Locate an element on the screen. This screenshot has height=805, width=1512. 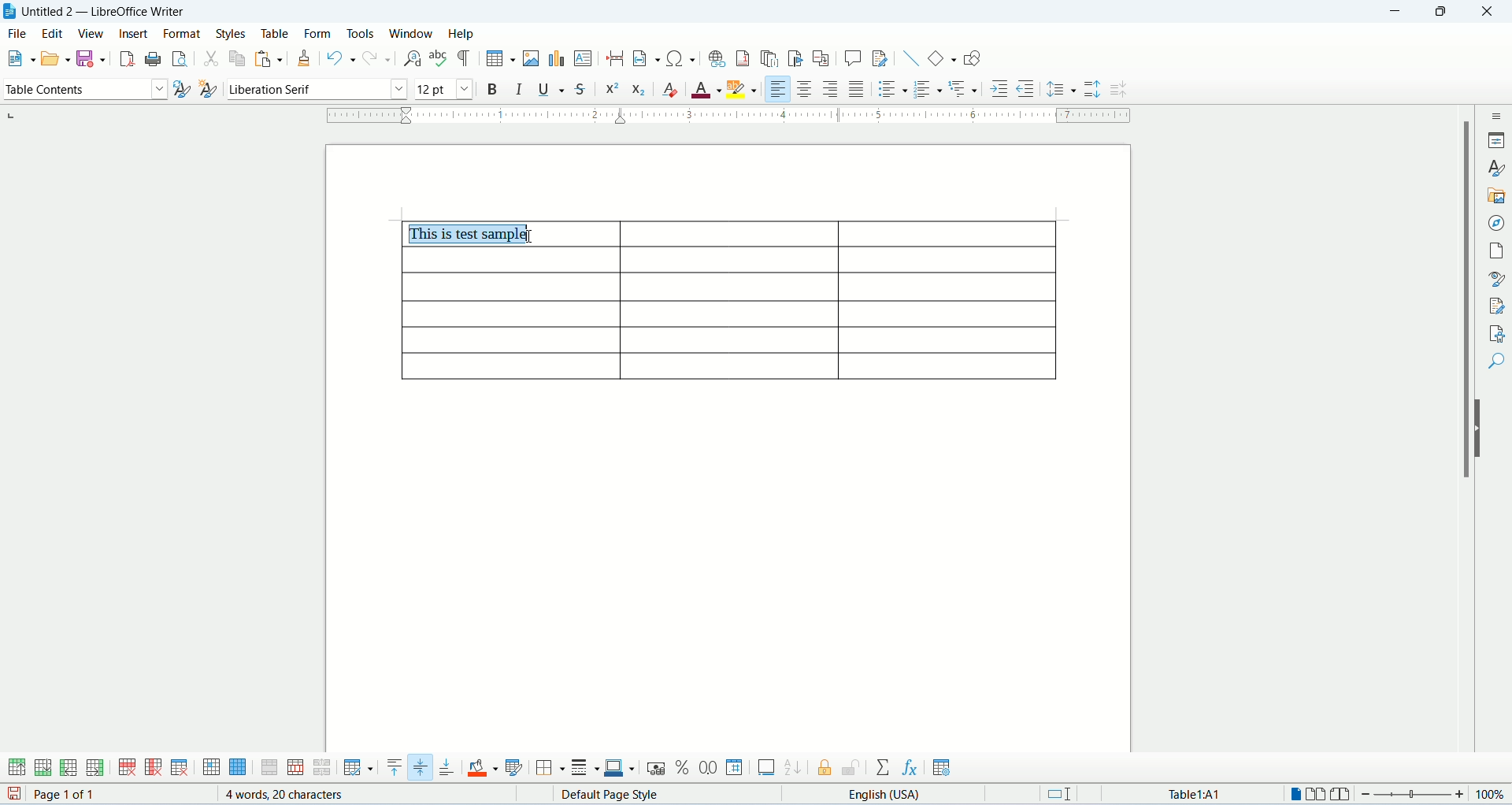
cursor is located at coordinates (531, 236).